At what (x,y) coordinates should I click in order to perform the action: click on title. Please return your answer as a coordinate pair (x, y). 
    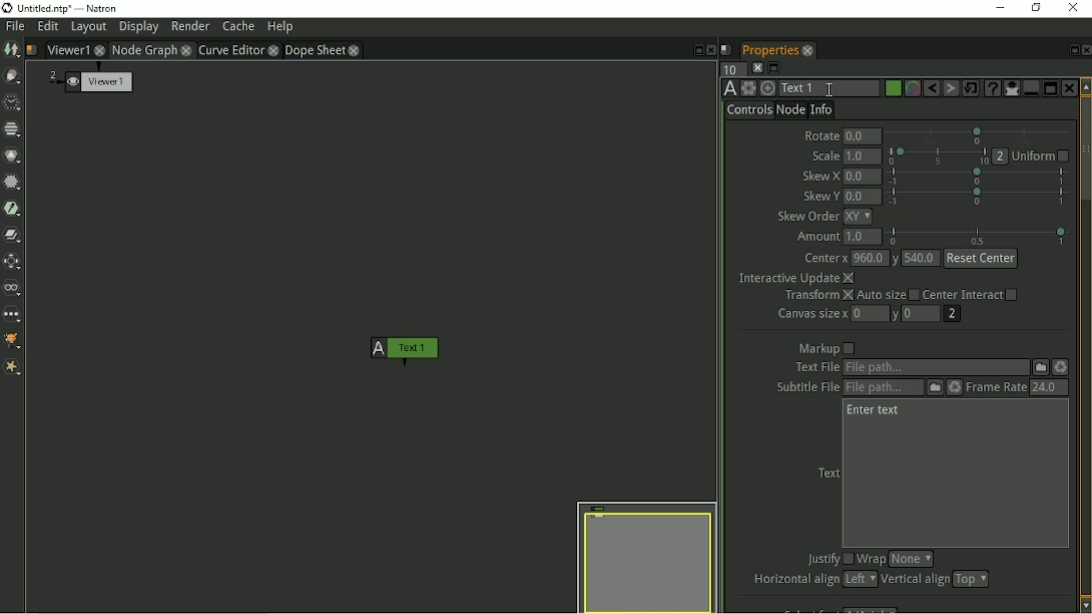
    Looking at the image, I should click on (75, 8).